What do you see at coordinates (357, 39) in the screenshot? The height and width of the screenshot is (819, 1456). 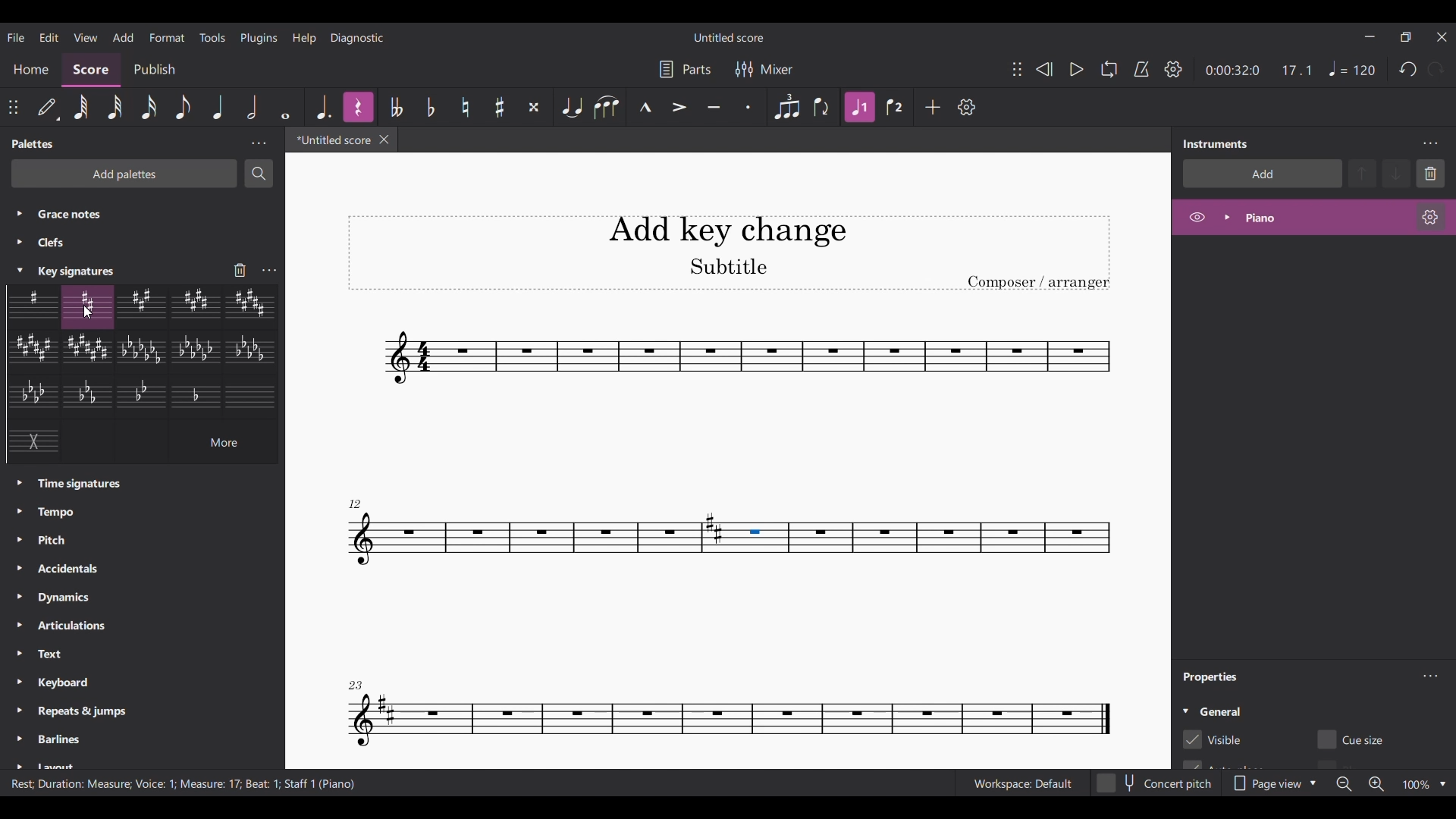 I see `Diagnostic menu` at bounding box center [357, 39].